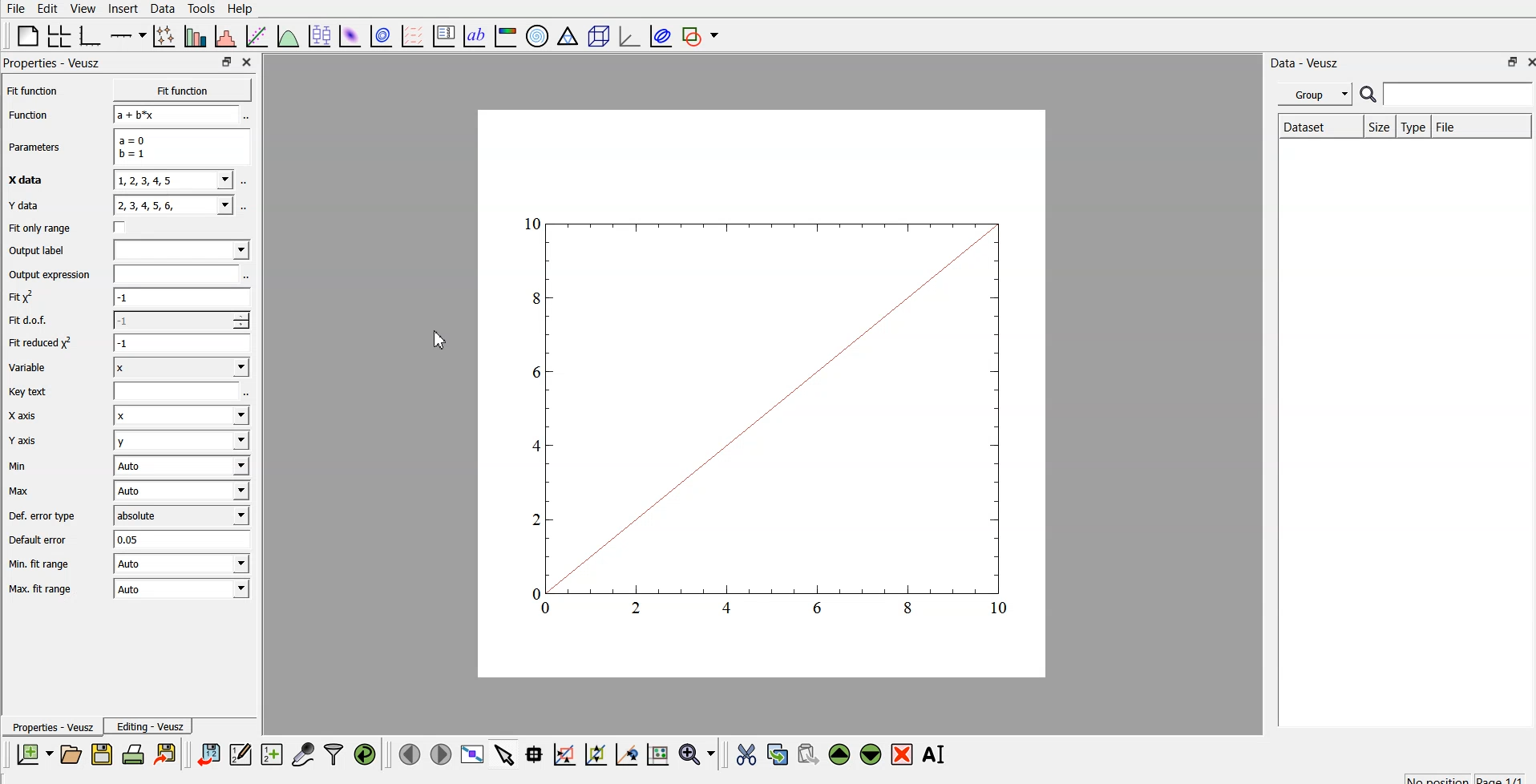 The image size is (1536, 784). Describe the element at coordinates (182, 249) in the screenshot. I see `input label` at that location.